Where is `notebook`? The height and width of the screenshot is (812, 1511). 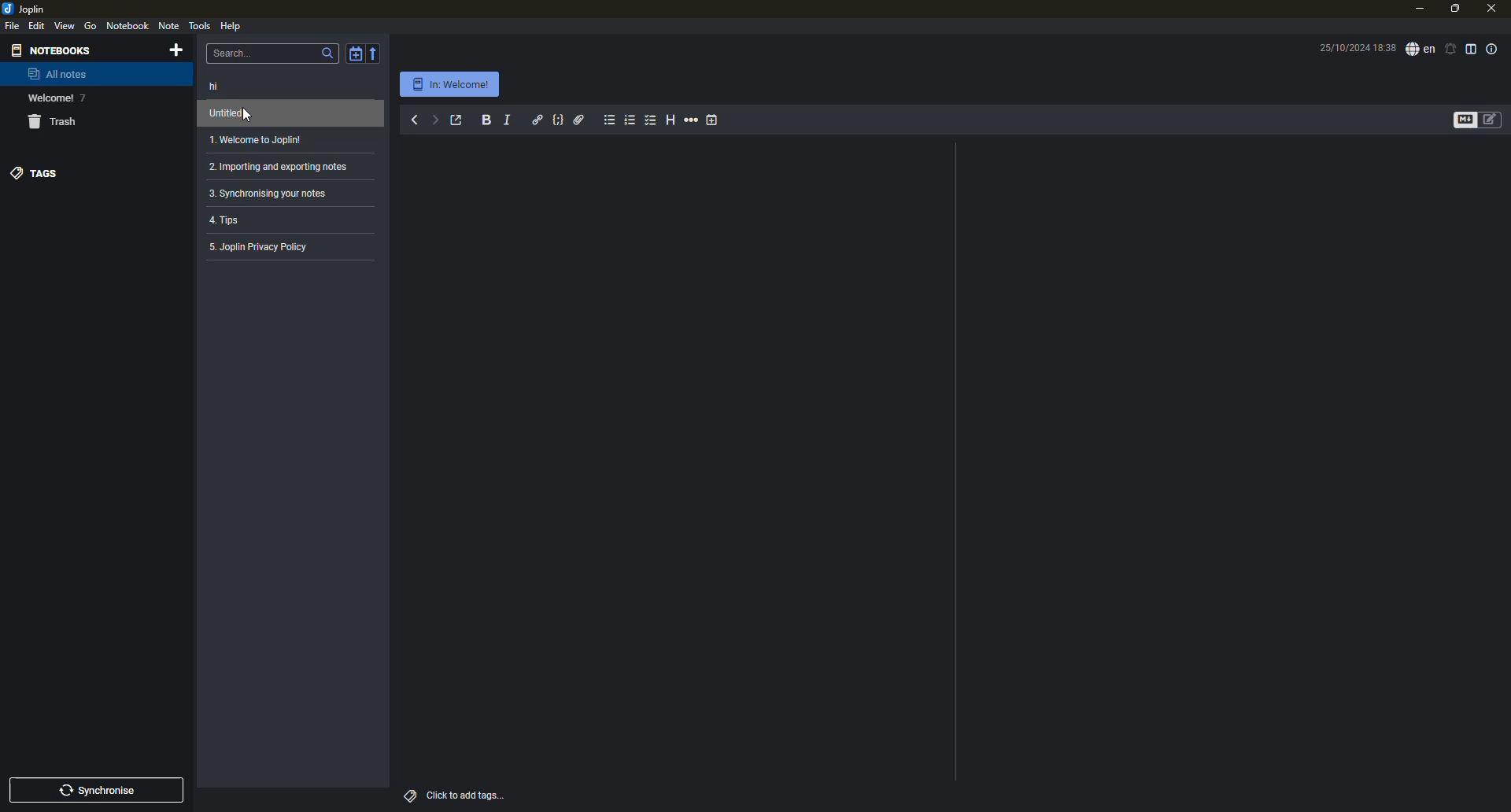
notebook is located at coordinates (128, 26).